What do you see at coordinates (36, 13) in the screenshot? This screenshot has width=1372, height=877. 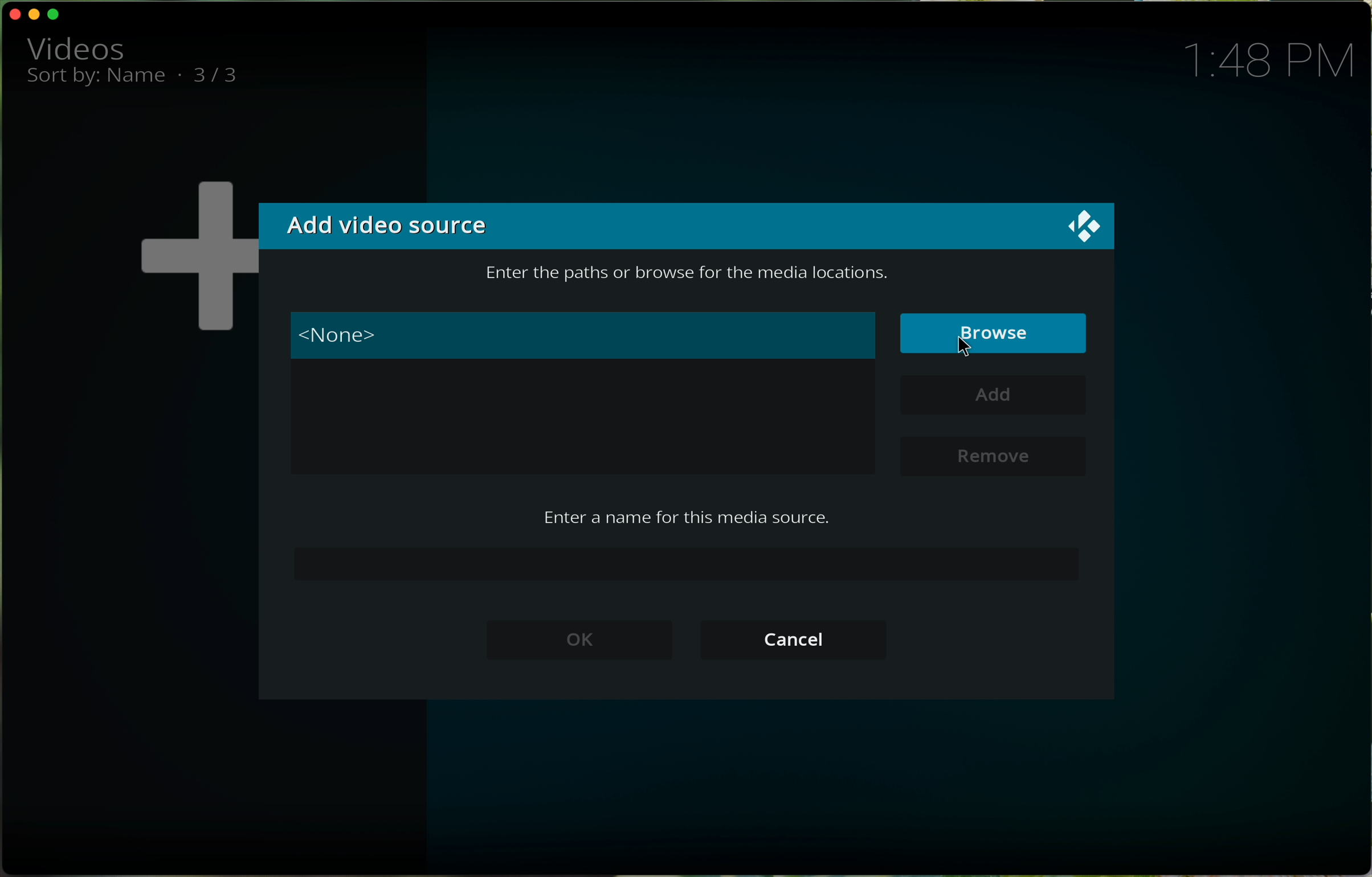 I see `minimise` at bounding box center [36, 13].